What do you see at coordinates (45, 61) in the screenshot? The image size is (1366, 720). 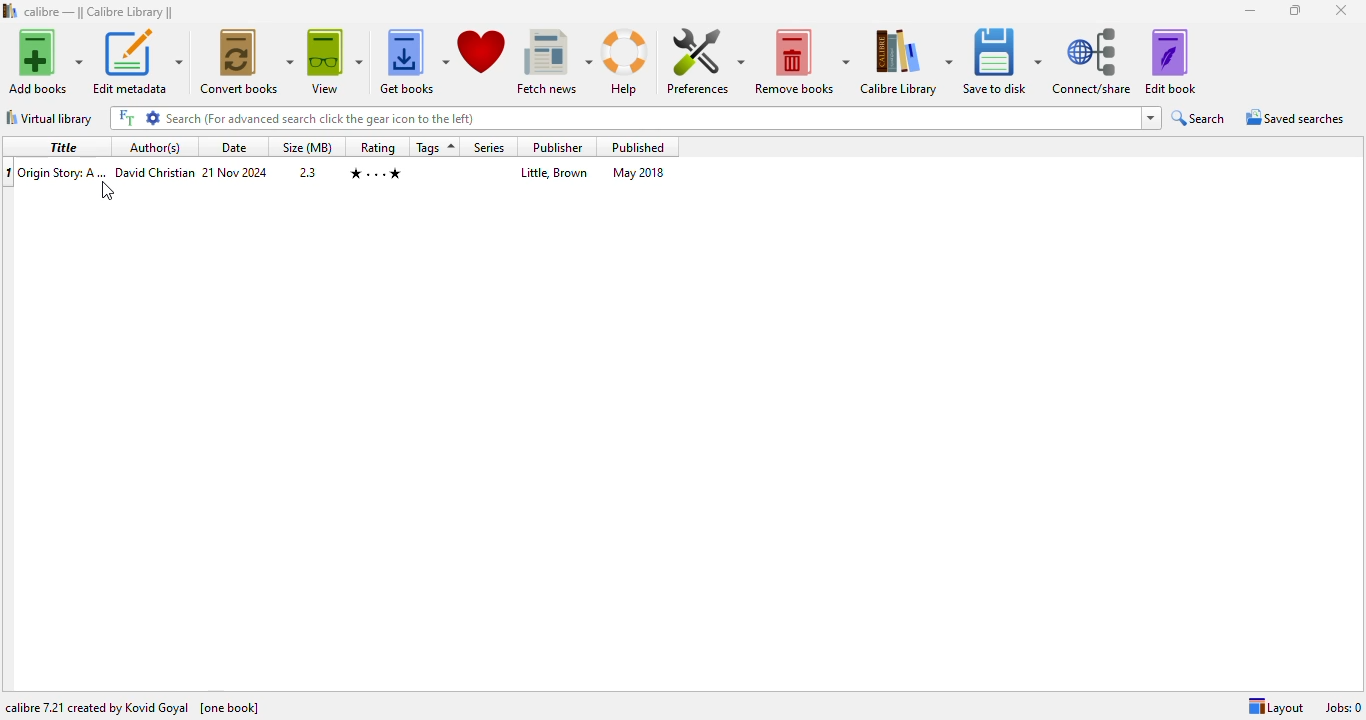 I see `add books` at bounding box center [45, 61].